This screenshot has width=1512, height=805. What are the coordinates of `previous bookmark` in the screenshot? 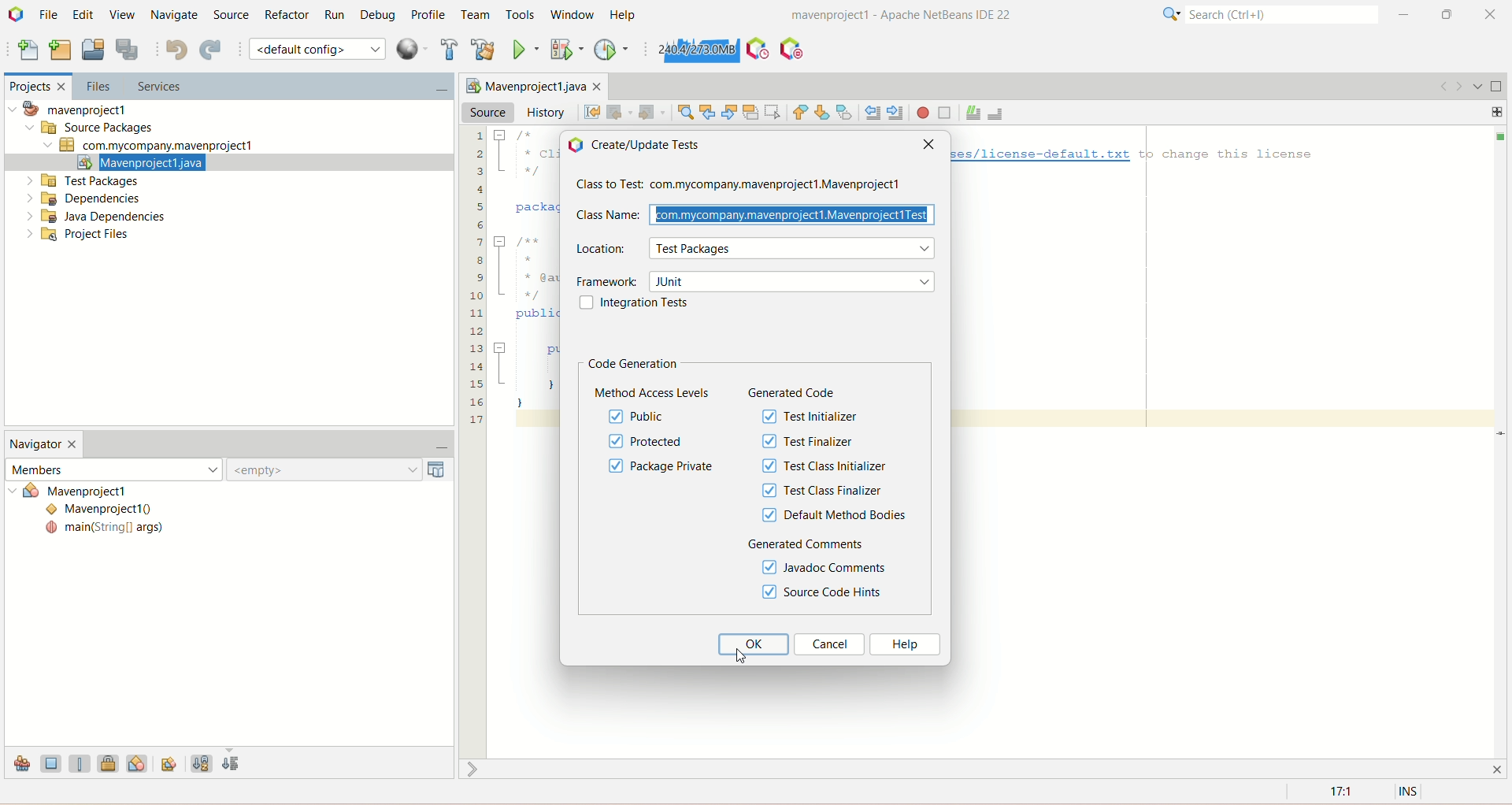 It's located at (801, 113).